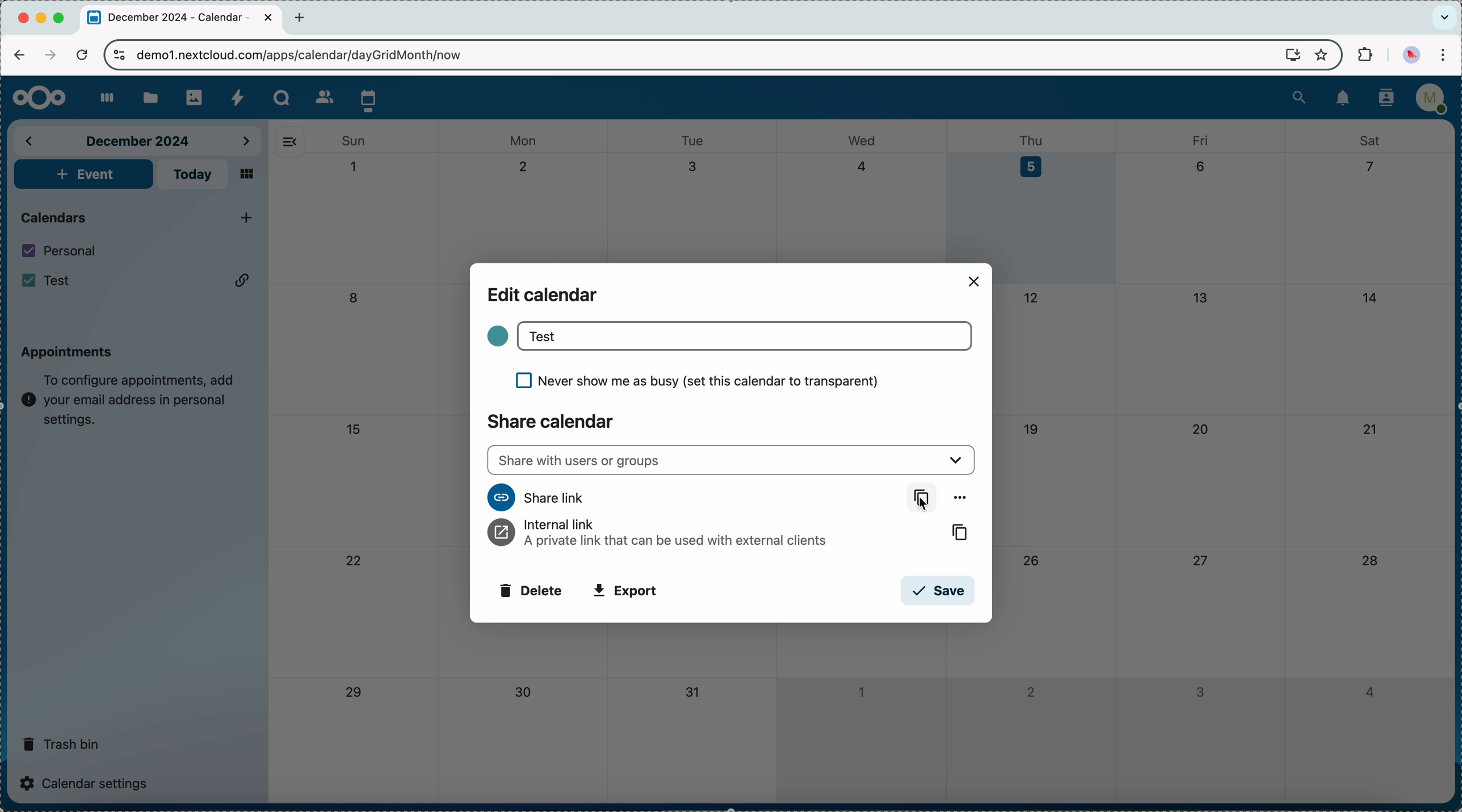  What do you see at coordinates (975, 281) in the screenshot?
I see `close popup` at bounding box center [975, 281].